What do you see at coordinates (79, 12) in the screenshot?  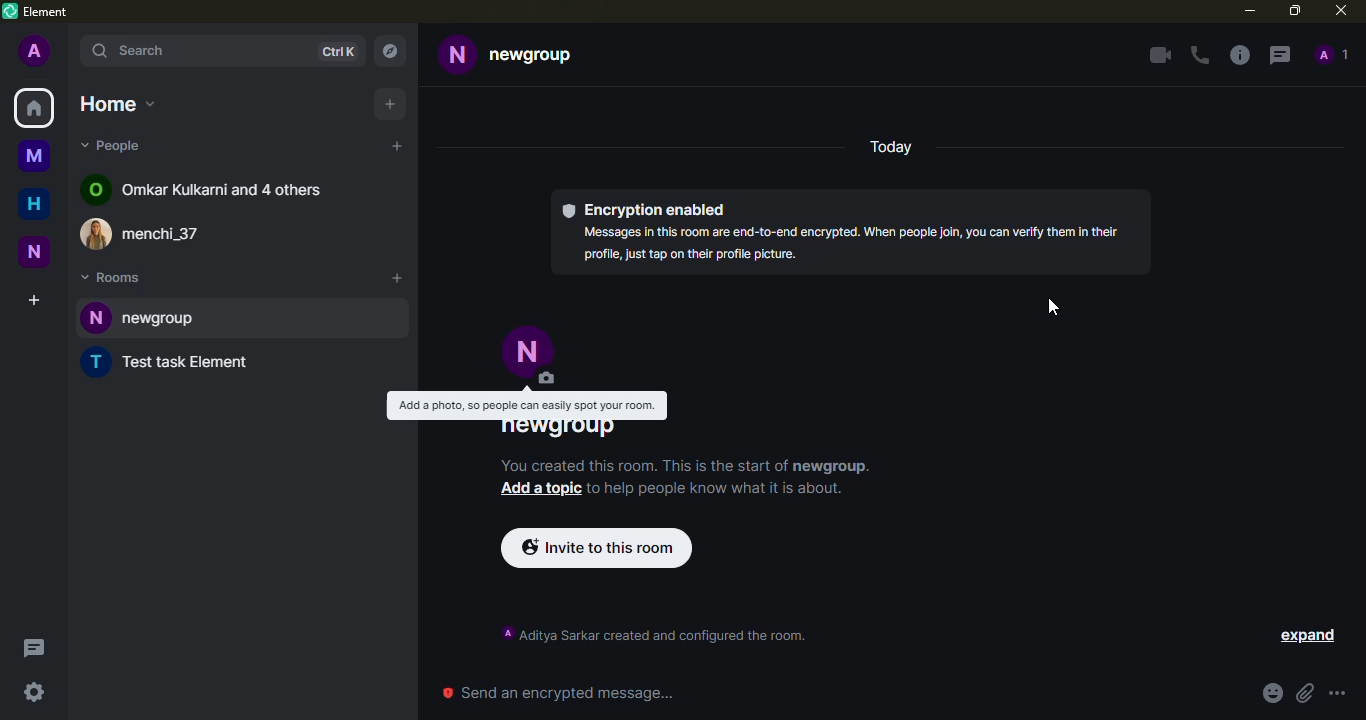 I see `Element` at bounding box center [79, 12].